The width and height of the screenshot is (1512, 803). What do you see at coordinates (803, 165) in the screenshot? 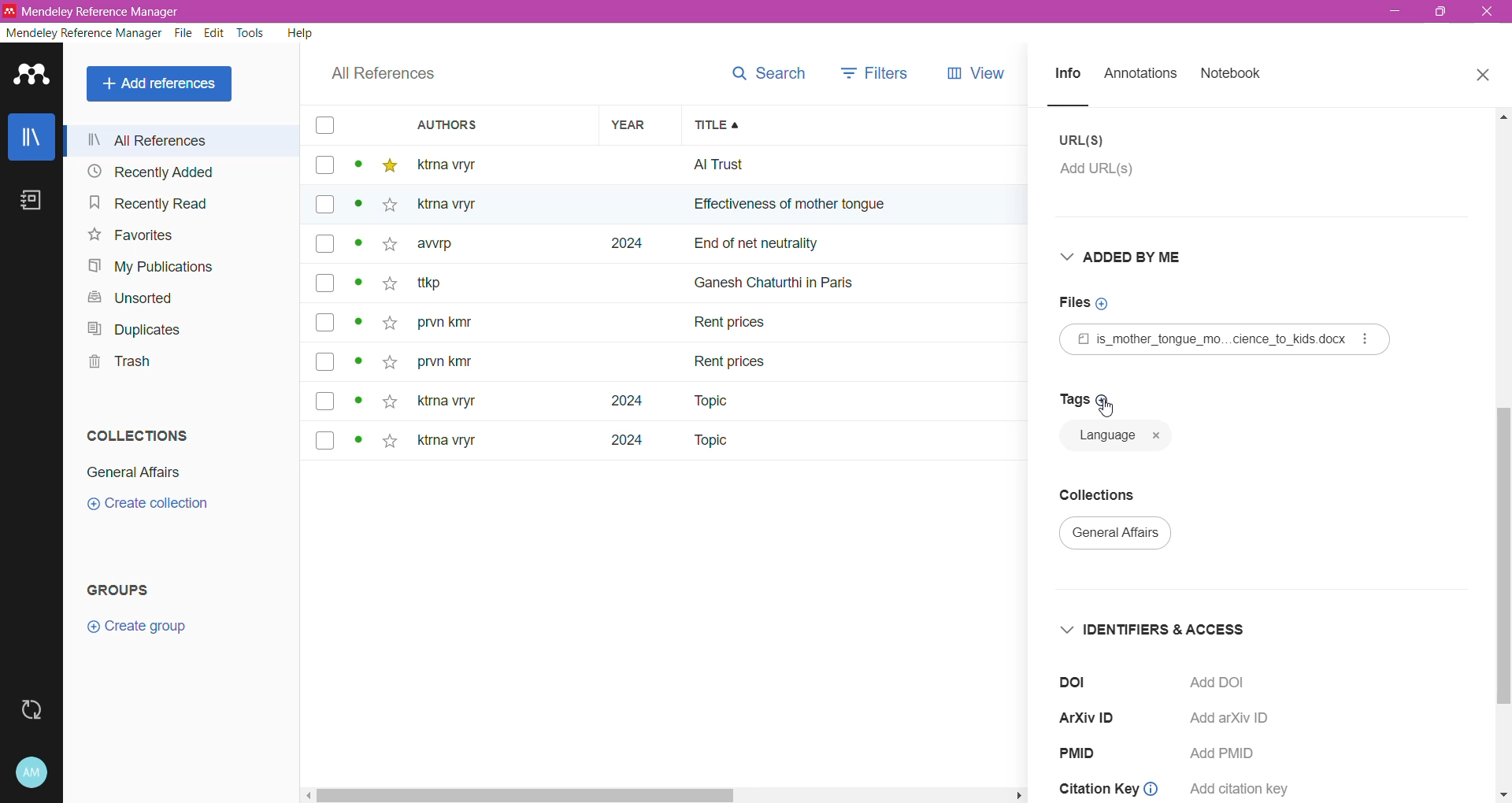
I see `all trust` at bounding box center [803, 165].